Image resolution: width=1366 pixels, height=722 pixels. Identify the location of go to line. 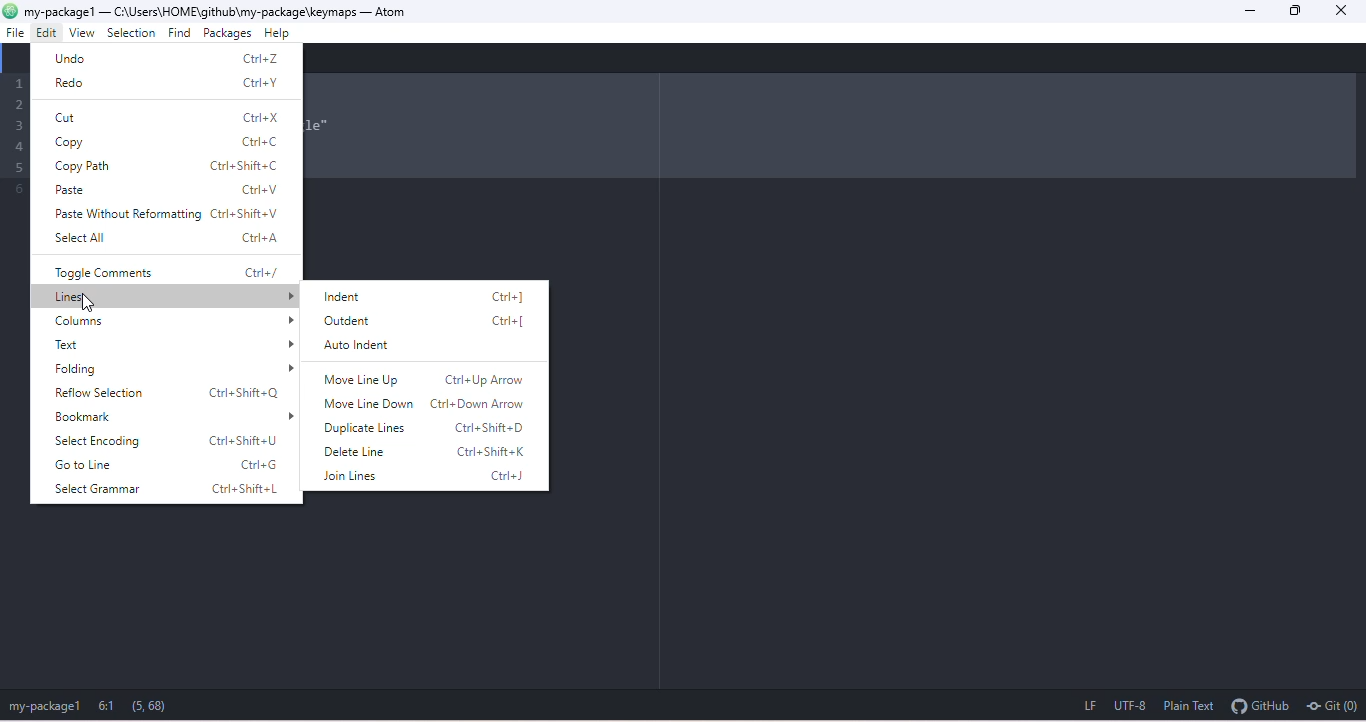
(173, 463).